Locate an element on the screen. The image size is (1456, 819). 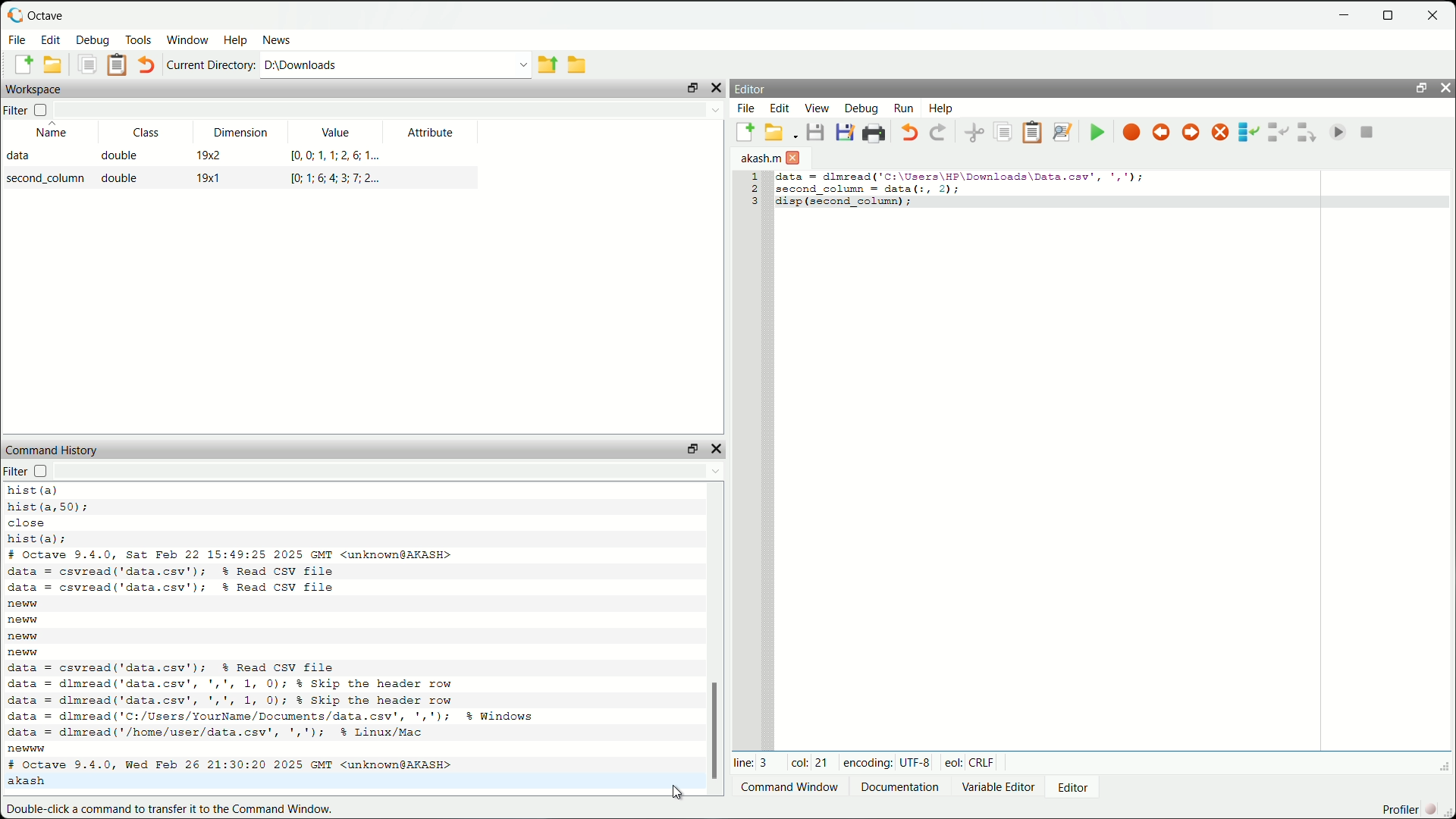
open an existing file in editor is located at coordinates (56, 64).